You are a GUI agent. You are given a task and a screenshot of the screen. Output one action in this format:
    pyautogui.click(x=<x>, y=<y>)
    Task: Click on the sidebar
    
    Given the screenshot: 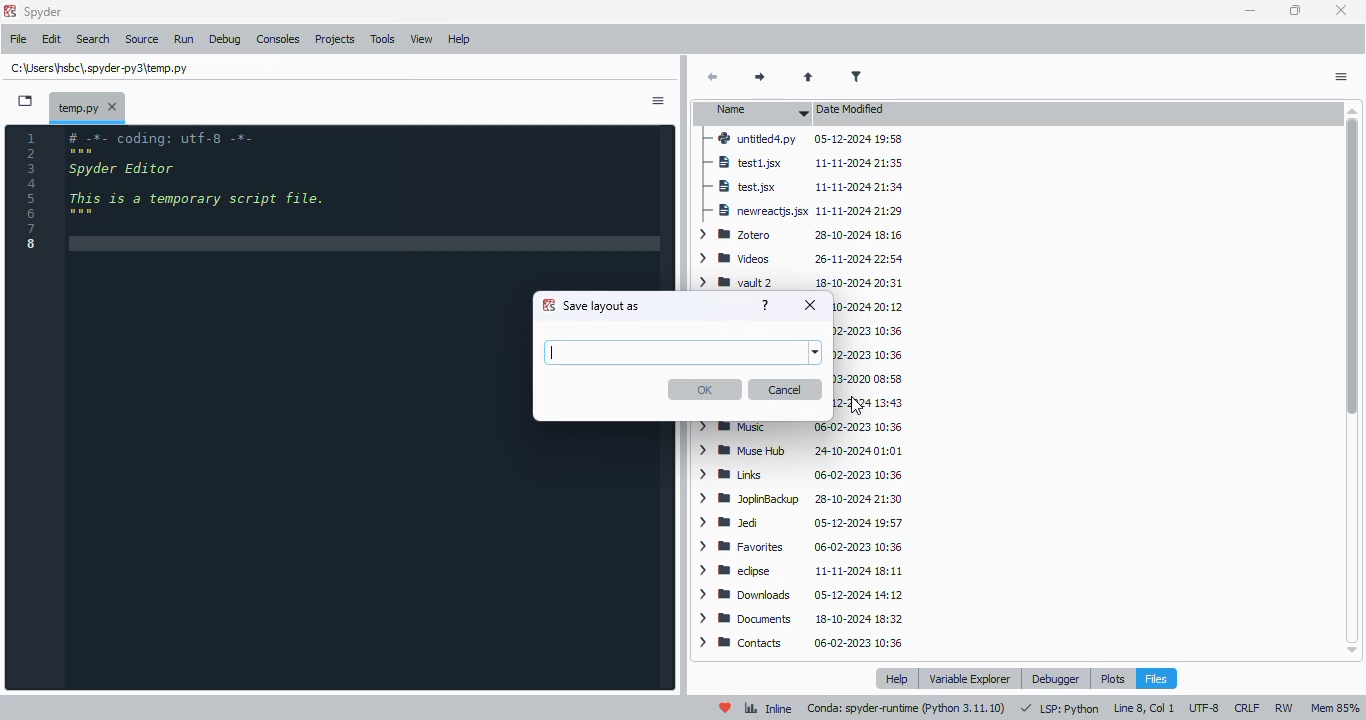 What is the action you would take?
    pyautogui.click(x=659, y=102)
    